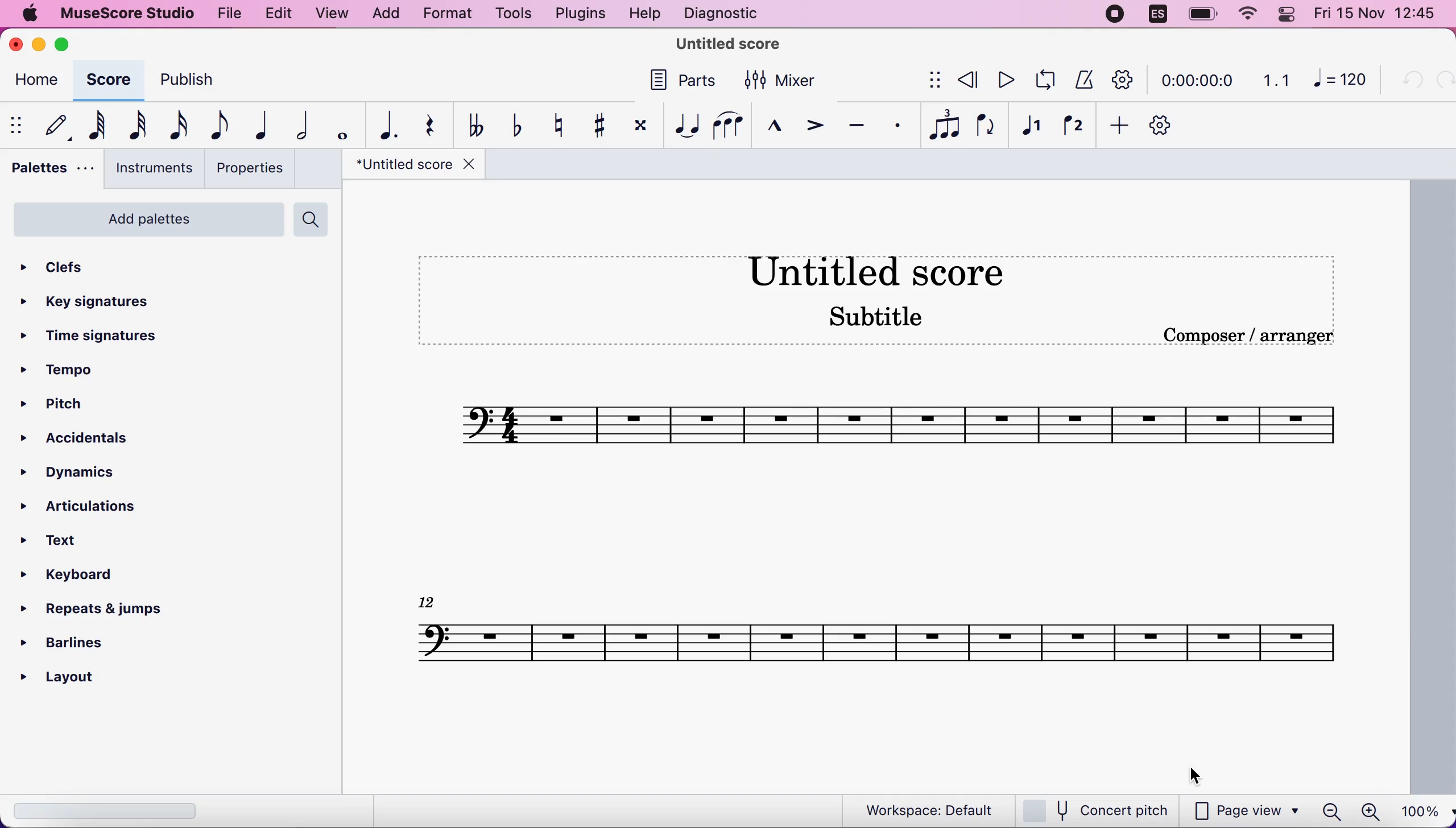 This screenshot has width=1456, height=828. I want to click on add, so click(385, 14).